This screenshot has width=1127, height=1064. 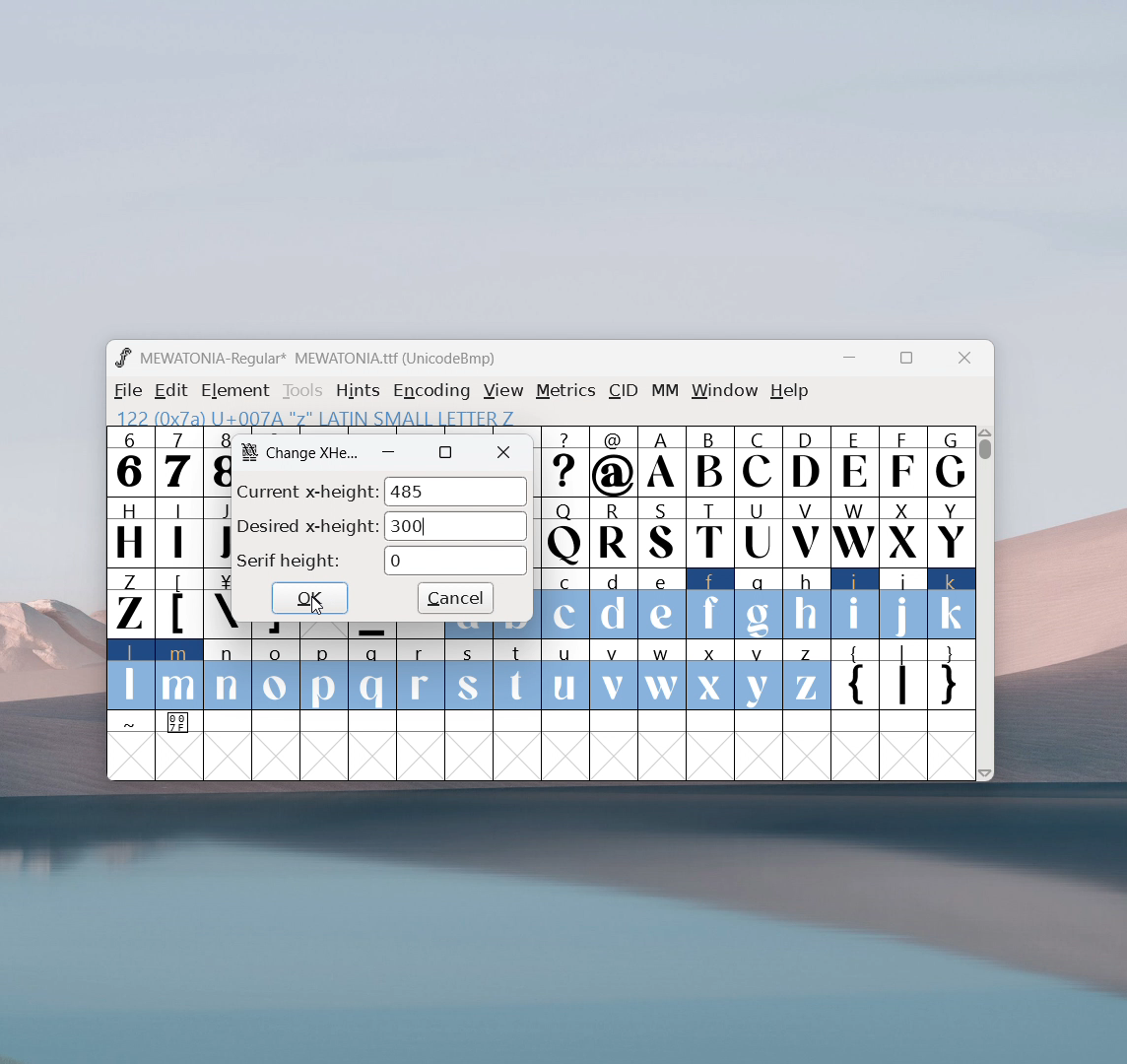 I want to click on c, so click(x=565, y=604).